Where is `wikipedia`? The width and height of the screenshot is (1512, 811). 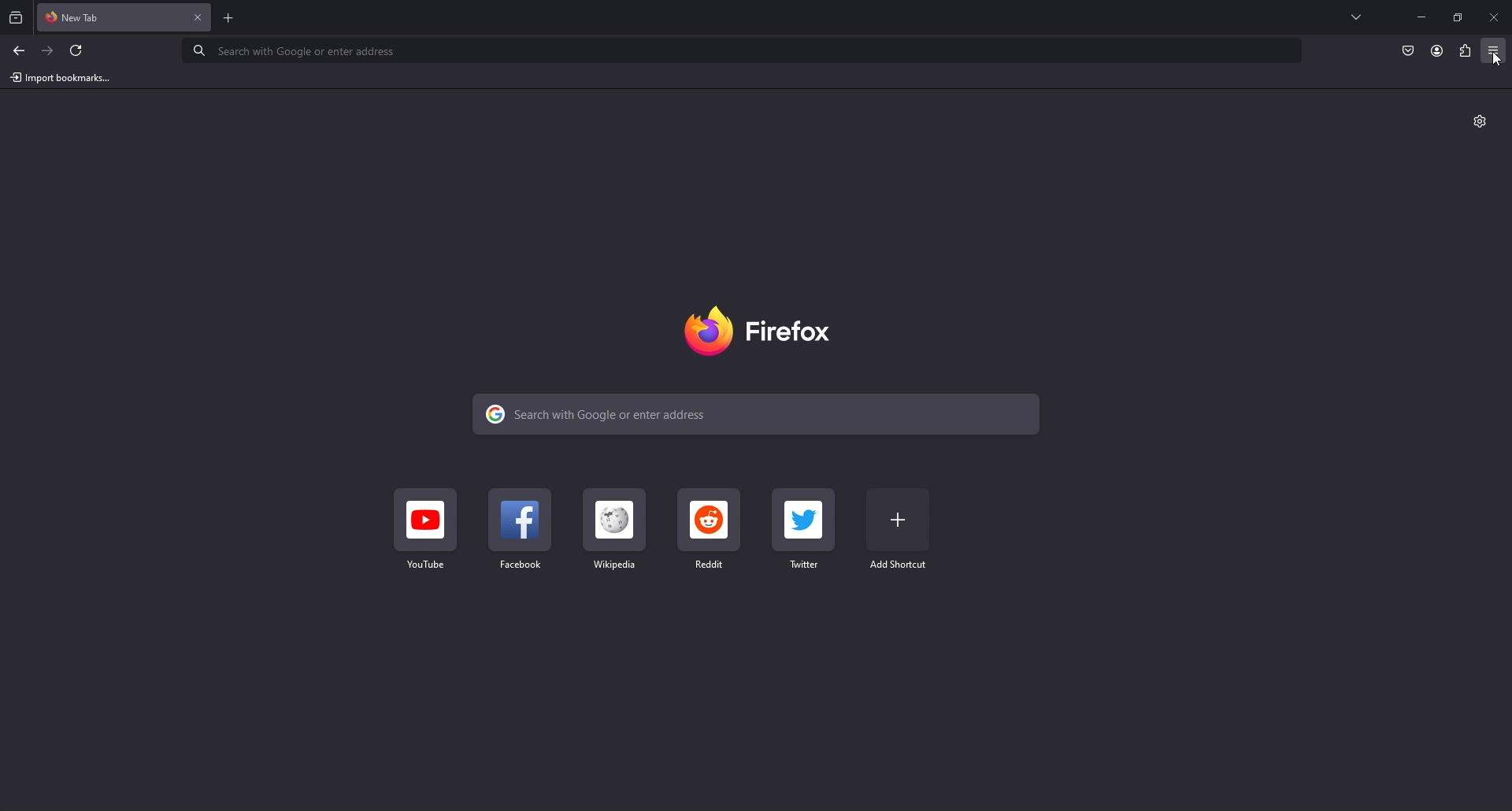 wikipedia is located at coordinates (617, 531).